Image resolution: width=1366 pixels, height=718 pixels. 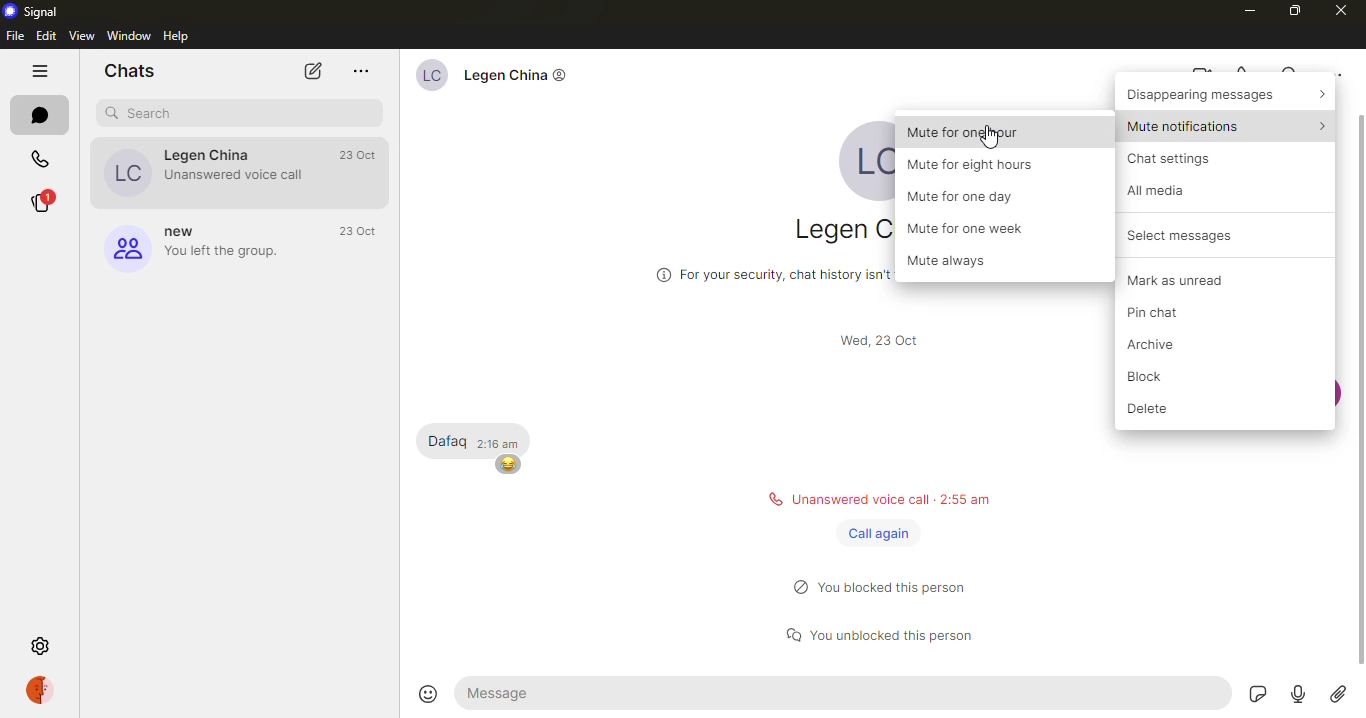 I want to click on settings, so click(x=46, y=646).